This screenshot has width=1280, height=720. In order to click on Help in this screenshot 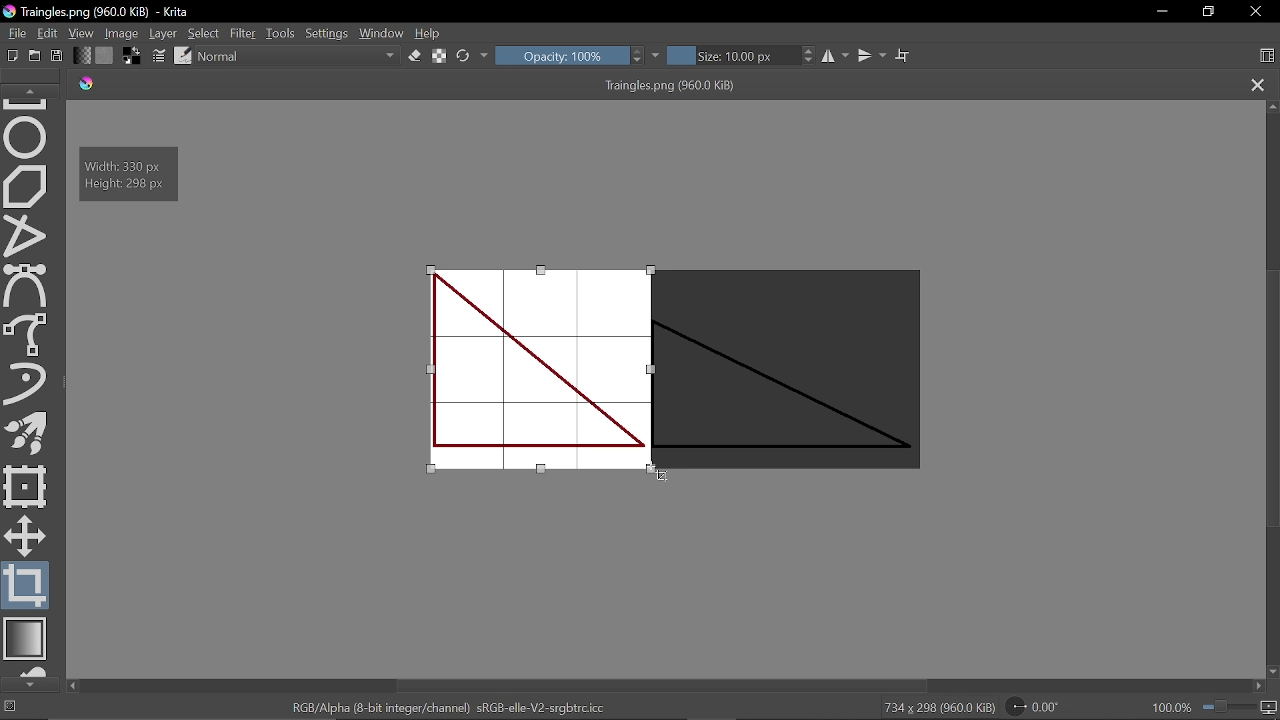, I will do `click(430, 34)`.